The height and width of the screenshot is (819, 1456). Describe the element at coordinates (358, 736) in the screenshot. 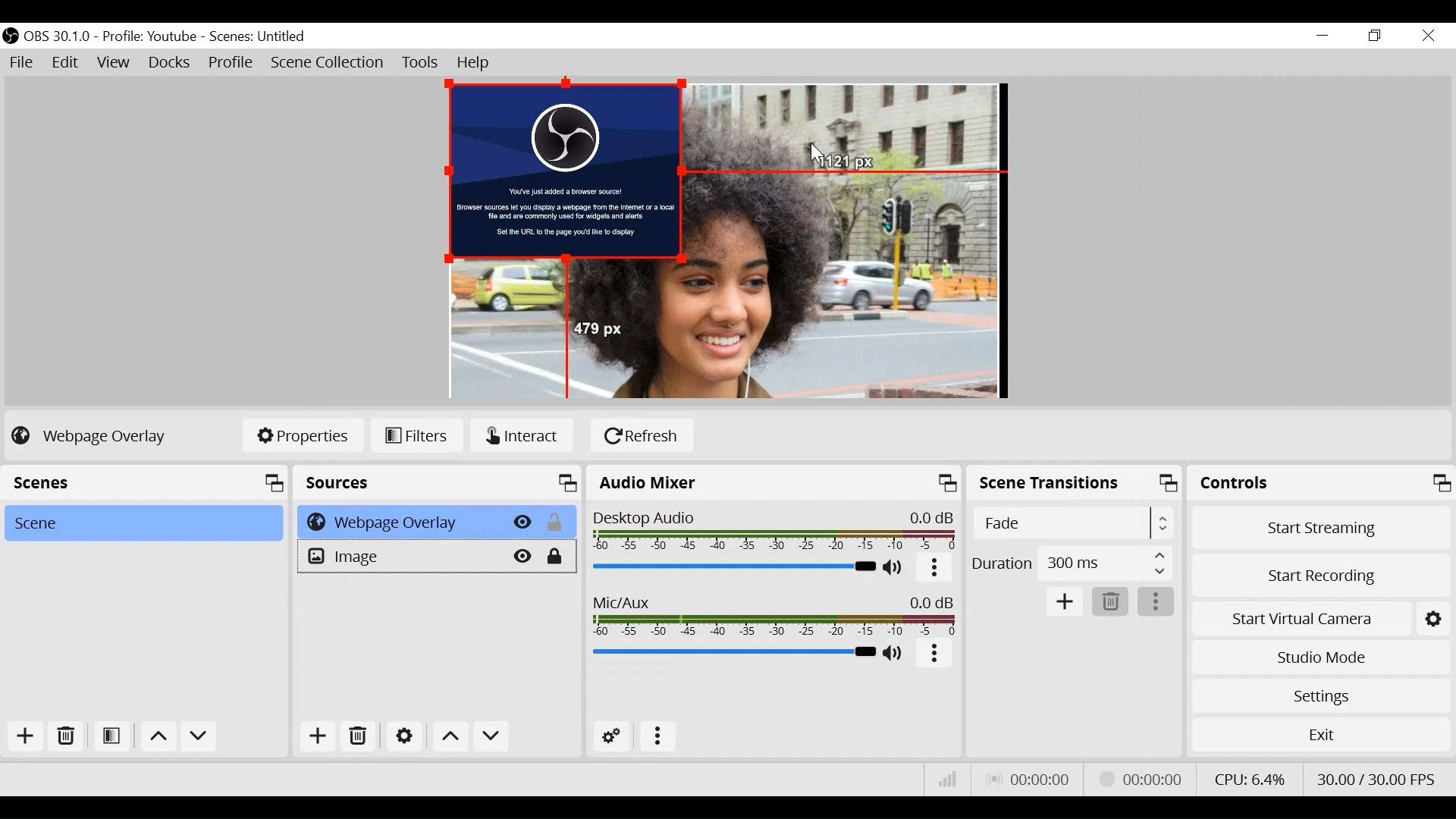

I see `Delete` at that location.